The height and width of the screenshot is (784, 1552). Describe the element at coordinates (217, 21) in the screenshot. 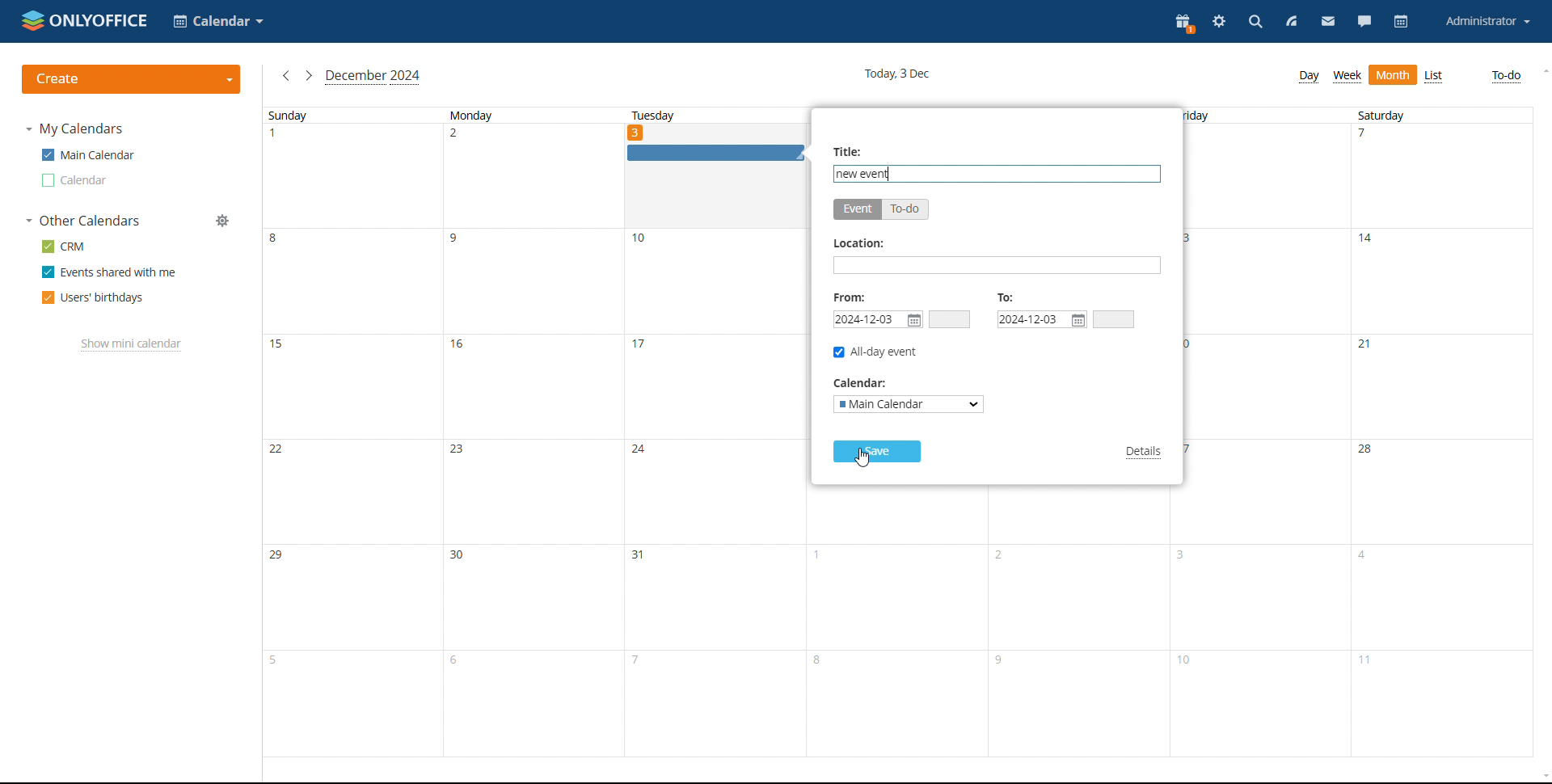

I see `select application` at that location.